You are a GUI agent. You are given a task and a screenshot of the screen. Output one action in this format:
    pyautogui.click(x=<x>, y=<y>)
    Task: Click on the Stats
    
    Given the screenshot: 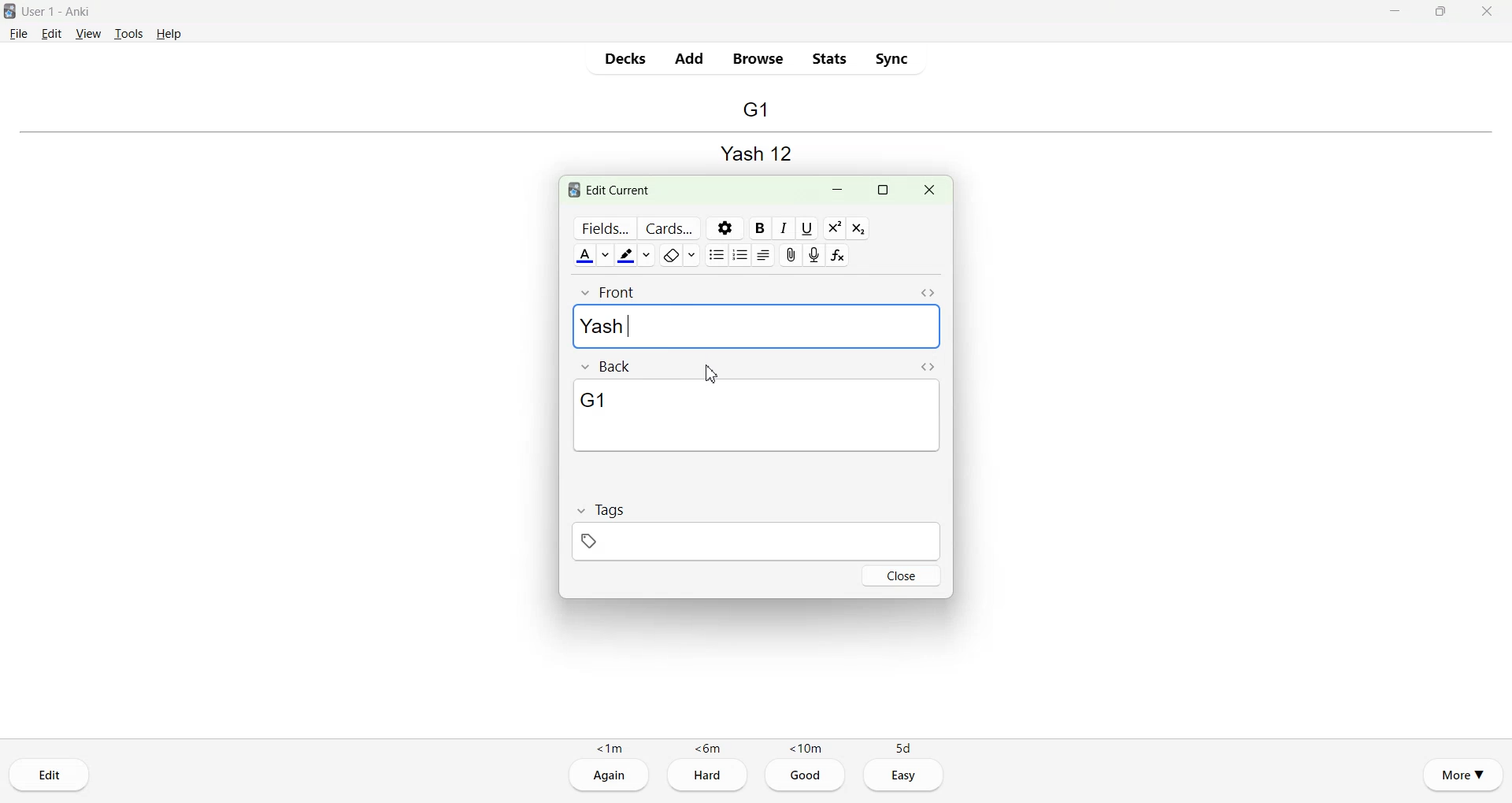 What is the action you would take?
    pyautogui.click(x=828, y=58)
    